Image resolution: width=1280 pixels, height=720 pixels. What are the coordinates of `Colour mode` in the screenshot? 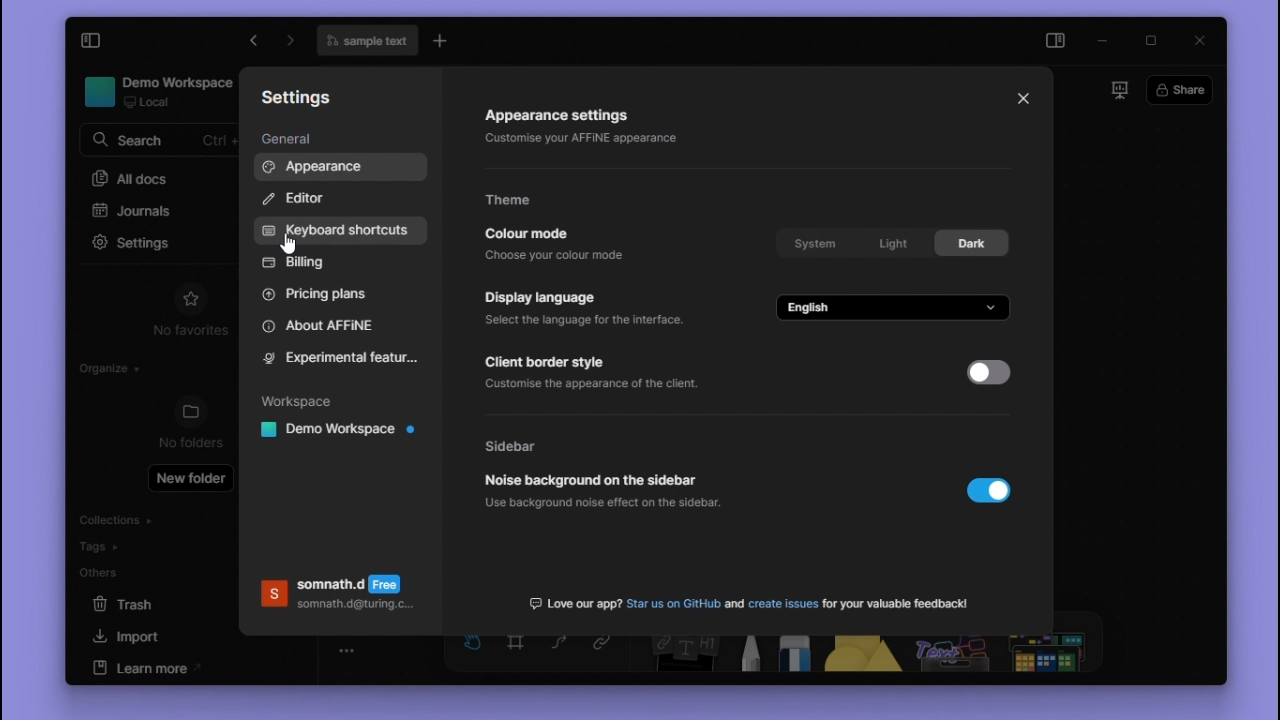 It's located at (560, 241).